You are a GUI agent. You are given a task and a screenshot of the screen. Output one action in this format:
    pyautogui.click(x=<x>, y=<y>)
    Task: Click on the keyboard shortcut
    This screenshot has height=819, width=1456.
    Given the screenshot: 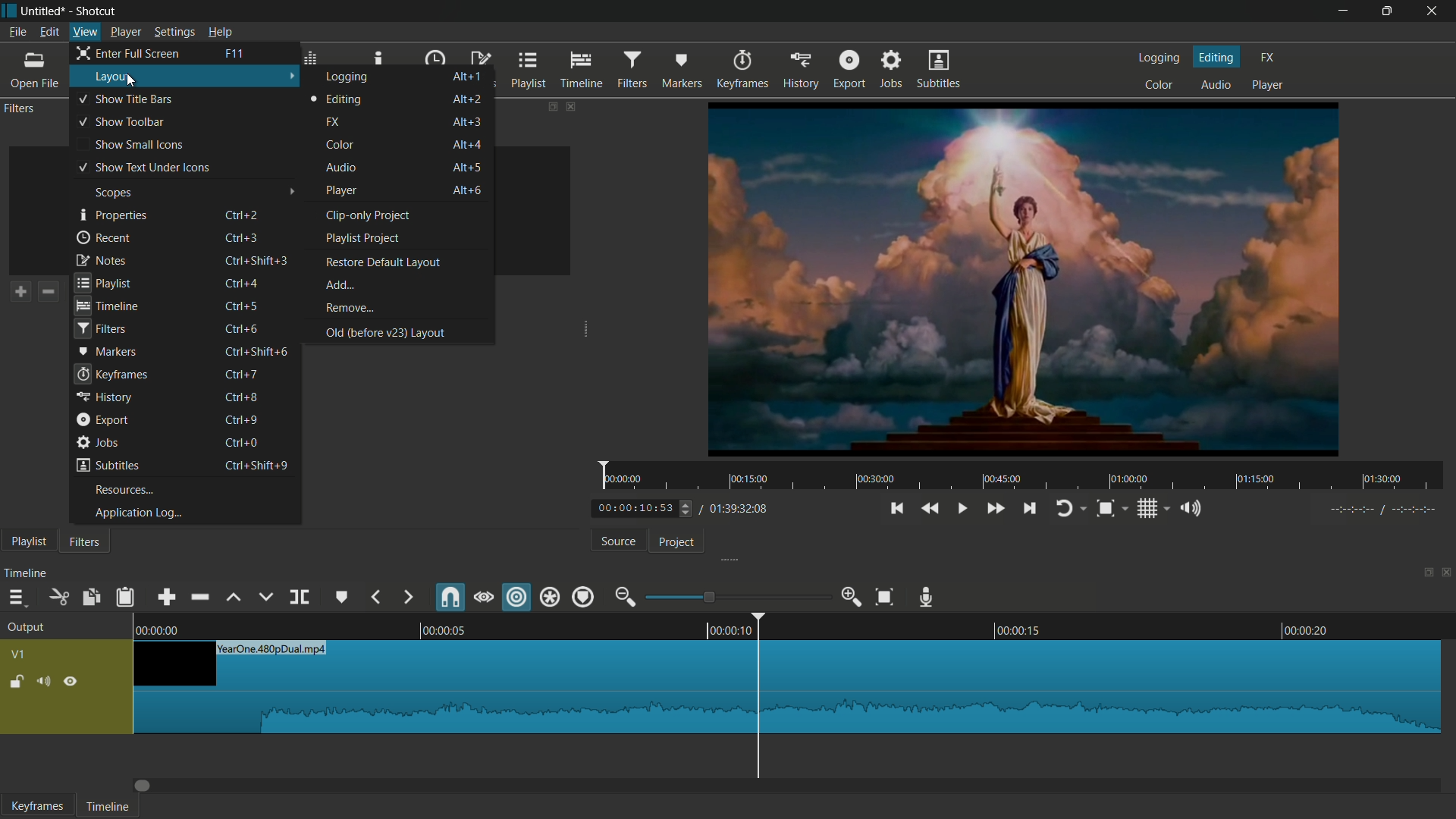 What is the action you would take?
    pyautogui.click(x=241, y=236)
    